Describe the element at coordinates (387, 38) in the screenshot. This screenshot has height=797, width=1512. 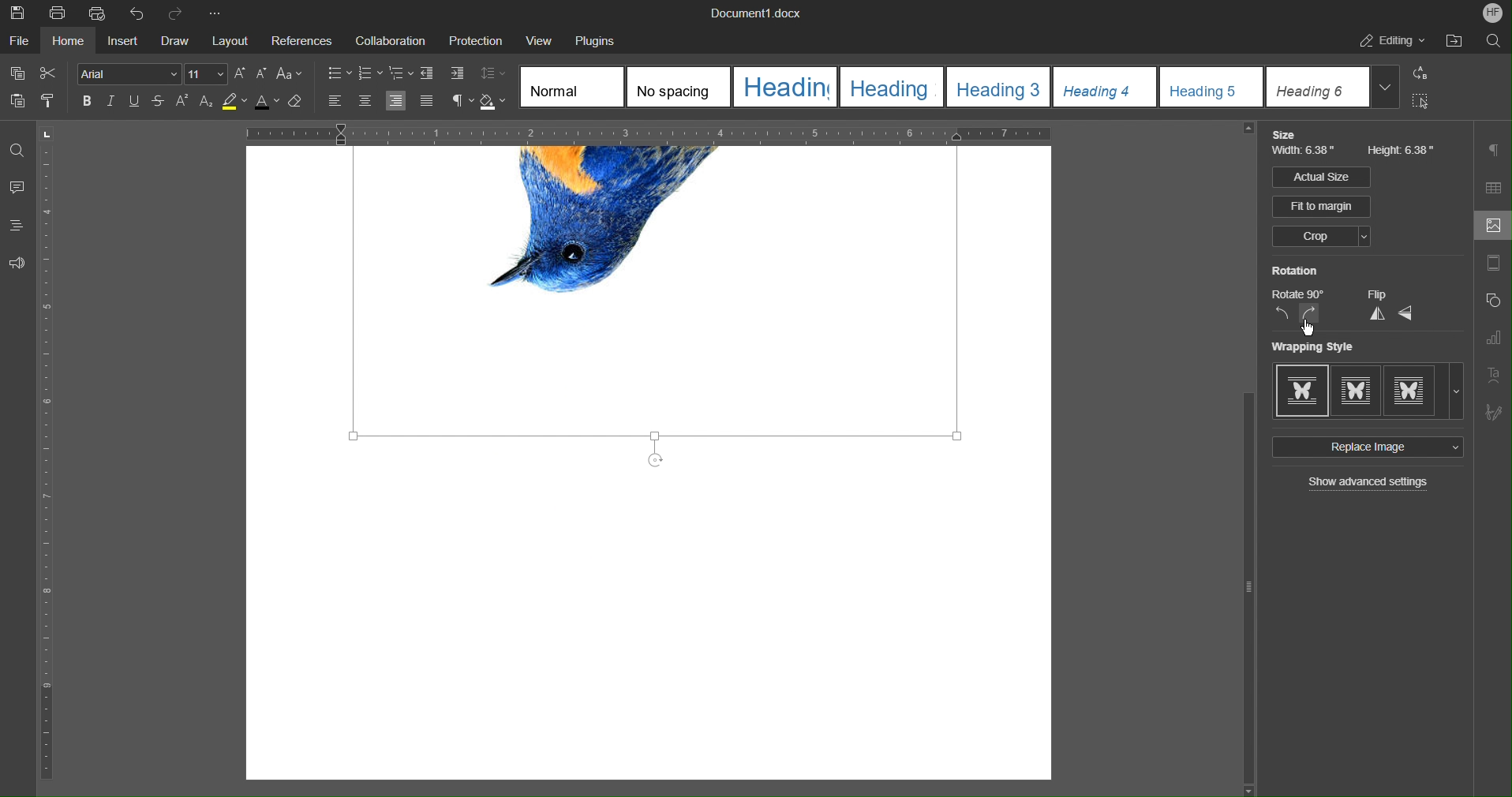
I see `Collaboration` at that location.